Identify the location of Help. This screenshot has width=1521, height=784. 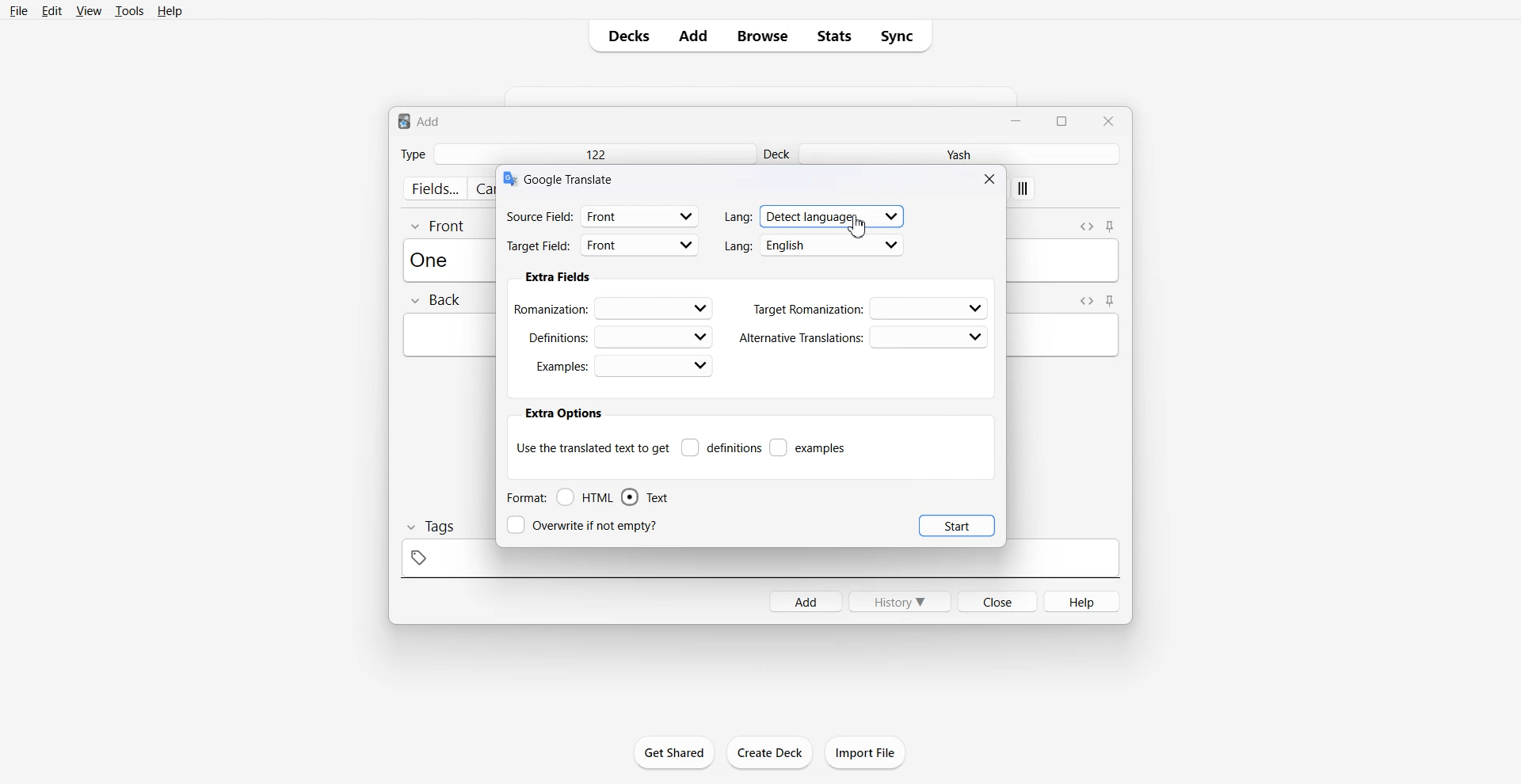
(170, 10).